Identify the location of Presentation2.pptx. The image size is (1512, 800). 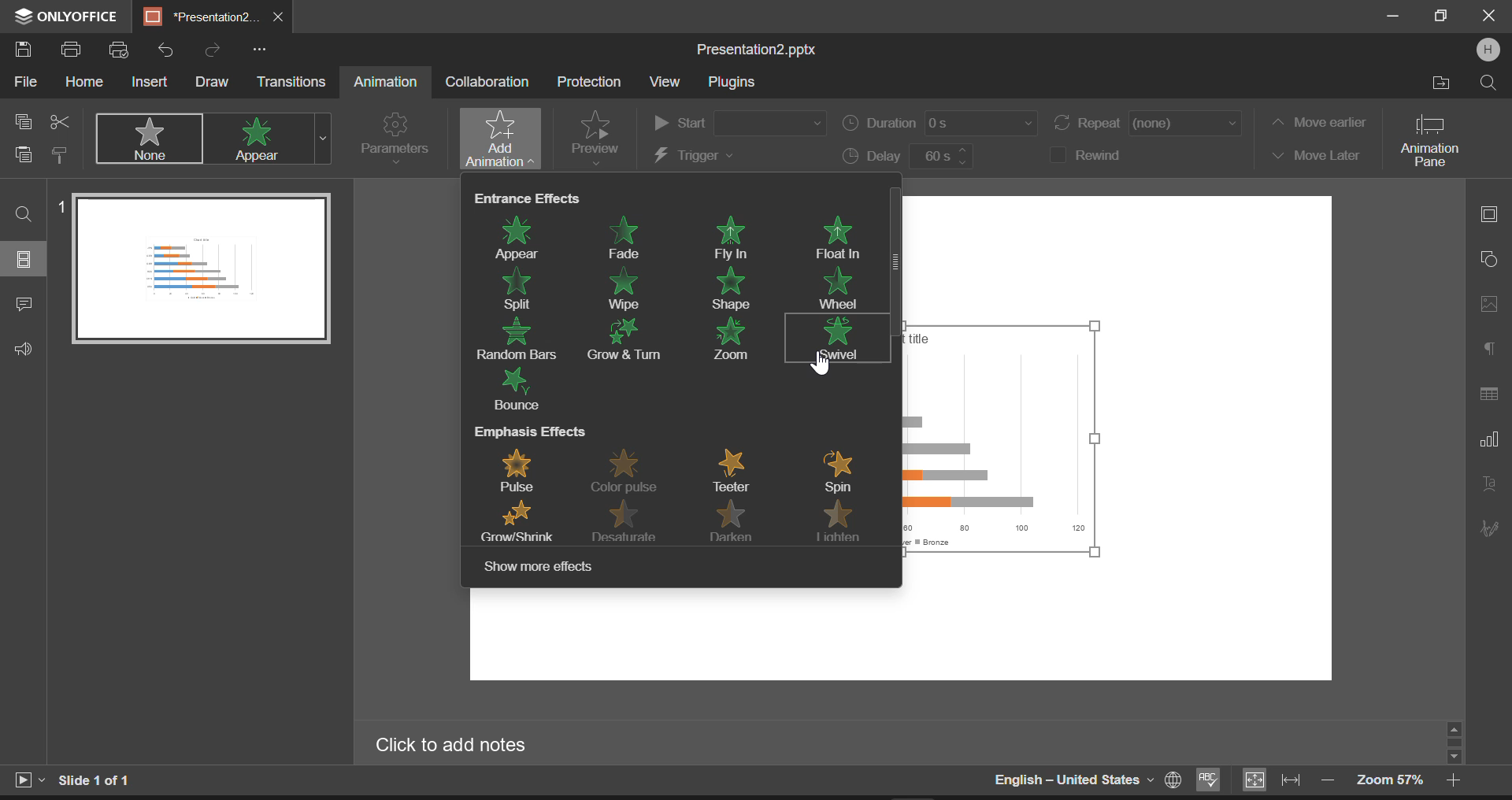
(762, 50).